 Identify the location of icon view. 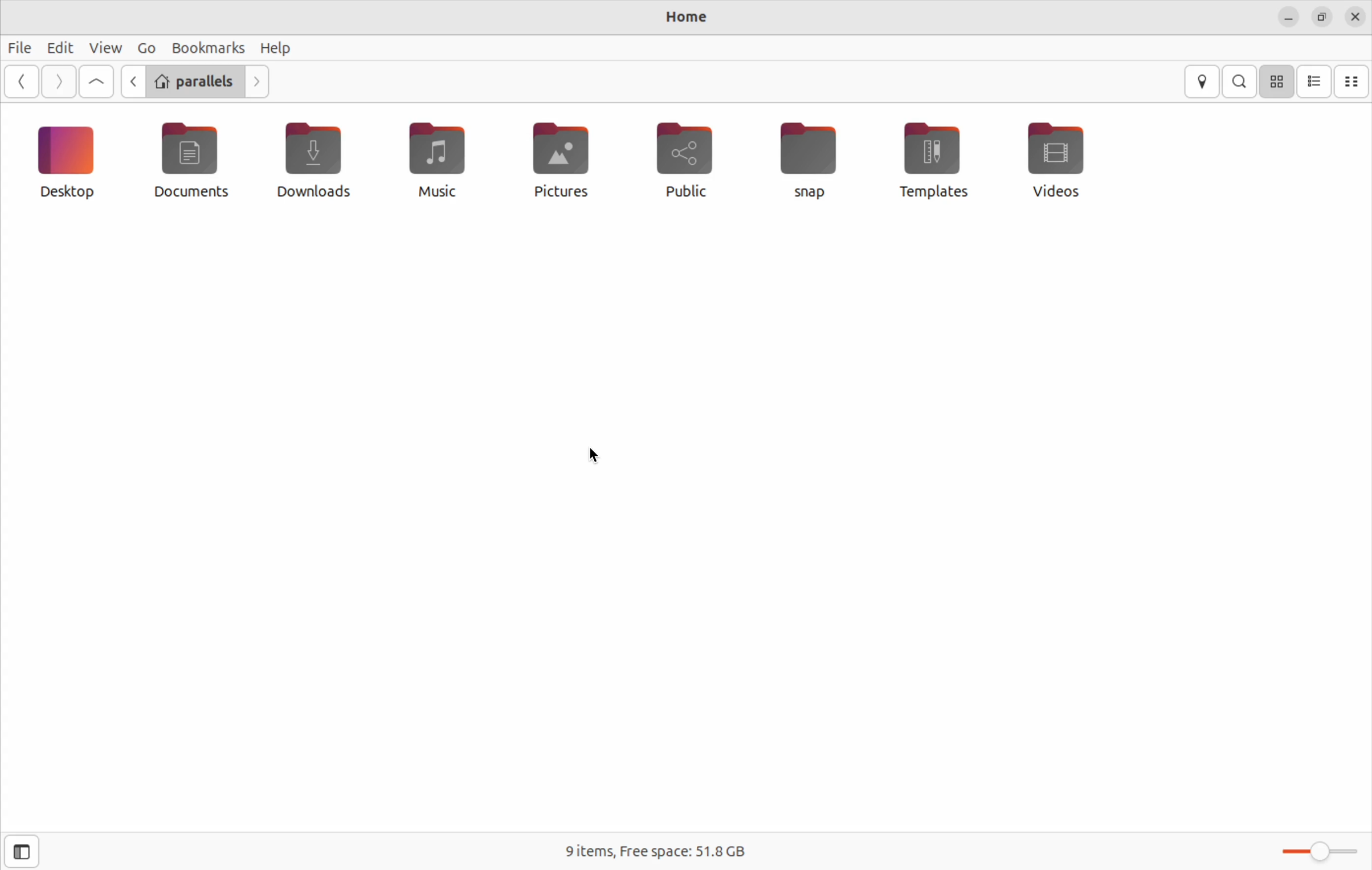
(1276, 83).